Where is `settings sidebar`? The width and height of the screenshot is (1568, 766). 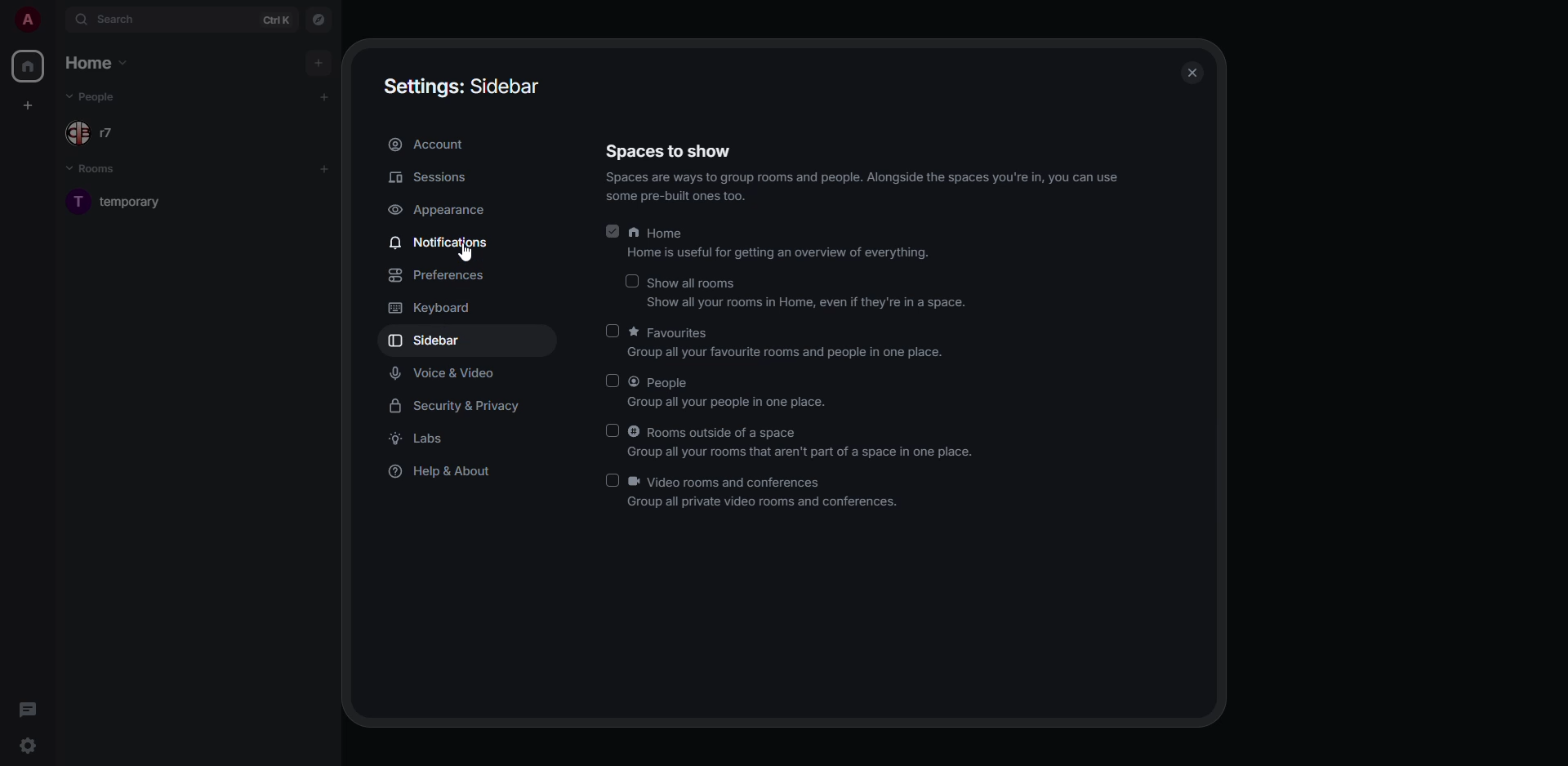
settings sidebar is located at coordinates (466, 87).